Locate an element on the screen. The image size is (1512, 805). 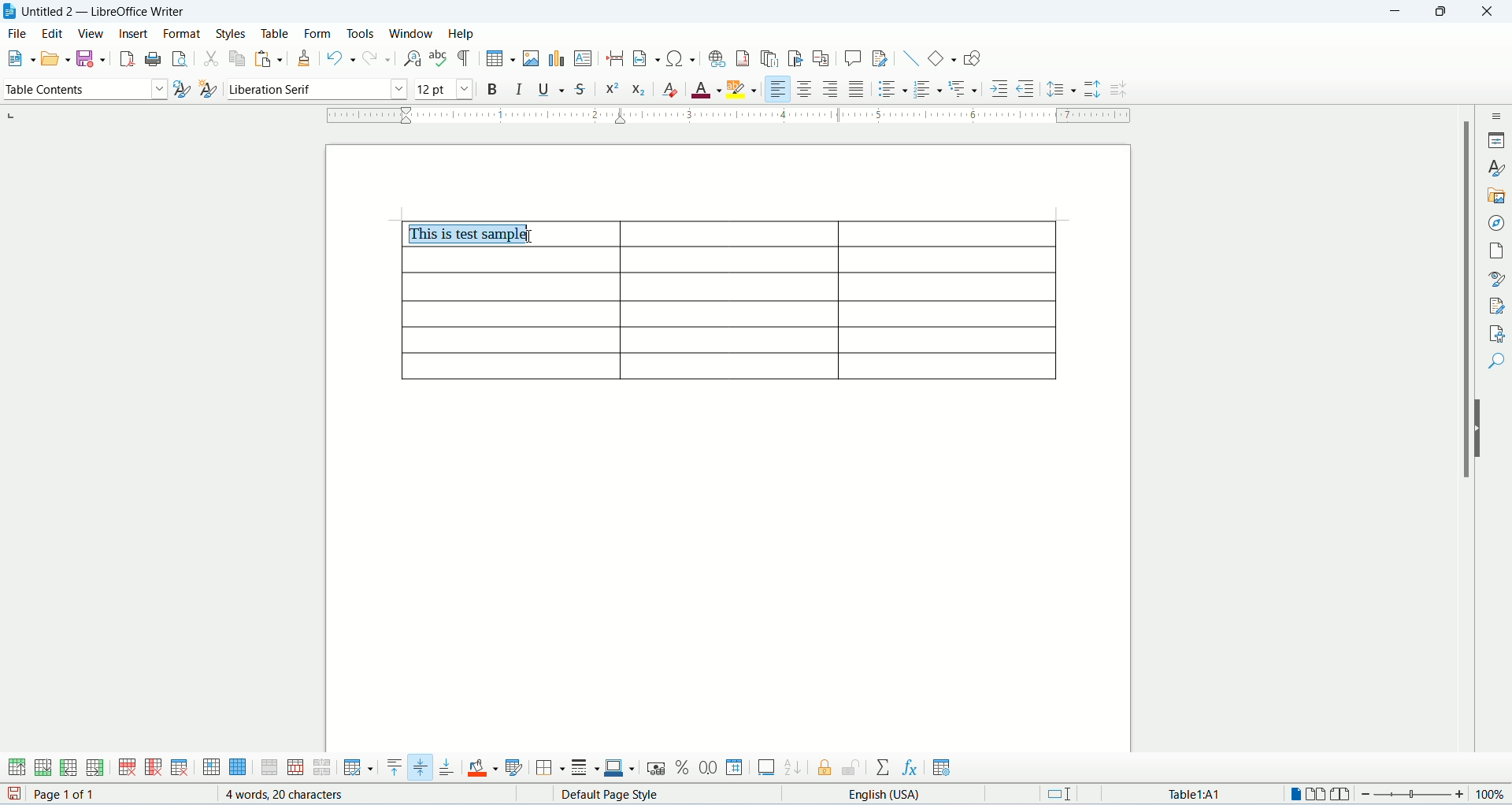
navigator is located at coordinates (1497, 221).